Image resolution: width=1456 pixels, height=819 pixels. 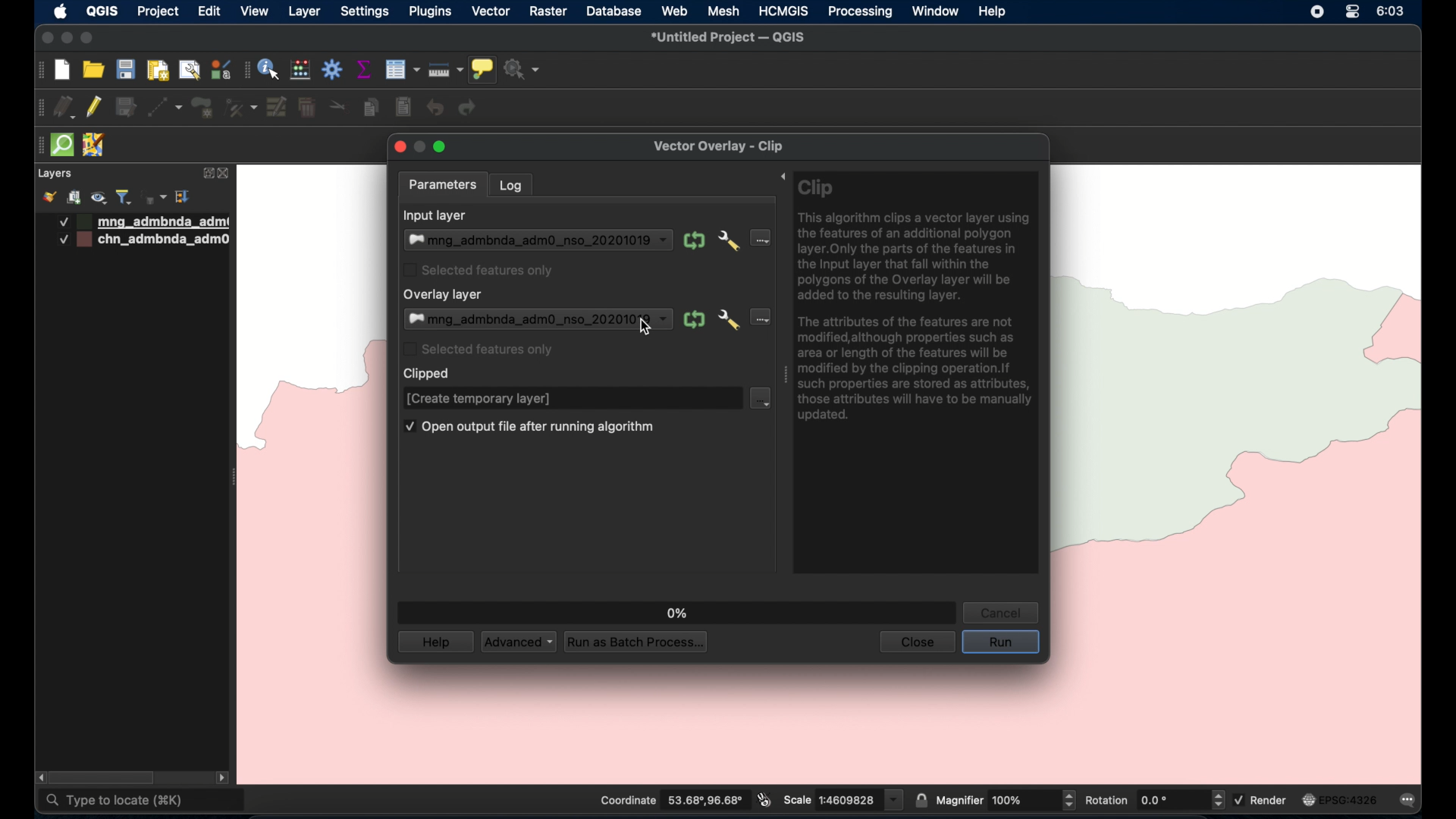 What do you see at coordinates (1410, 802) in the screenshot?
I see `messages` at bounding box center [1410, 802].